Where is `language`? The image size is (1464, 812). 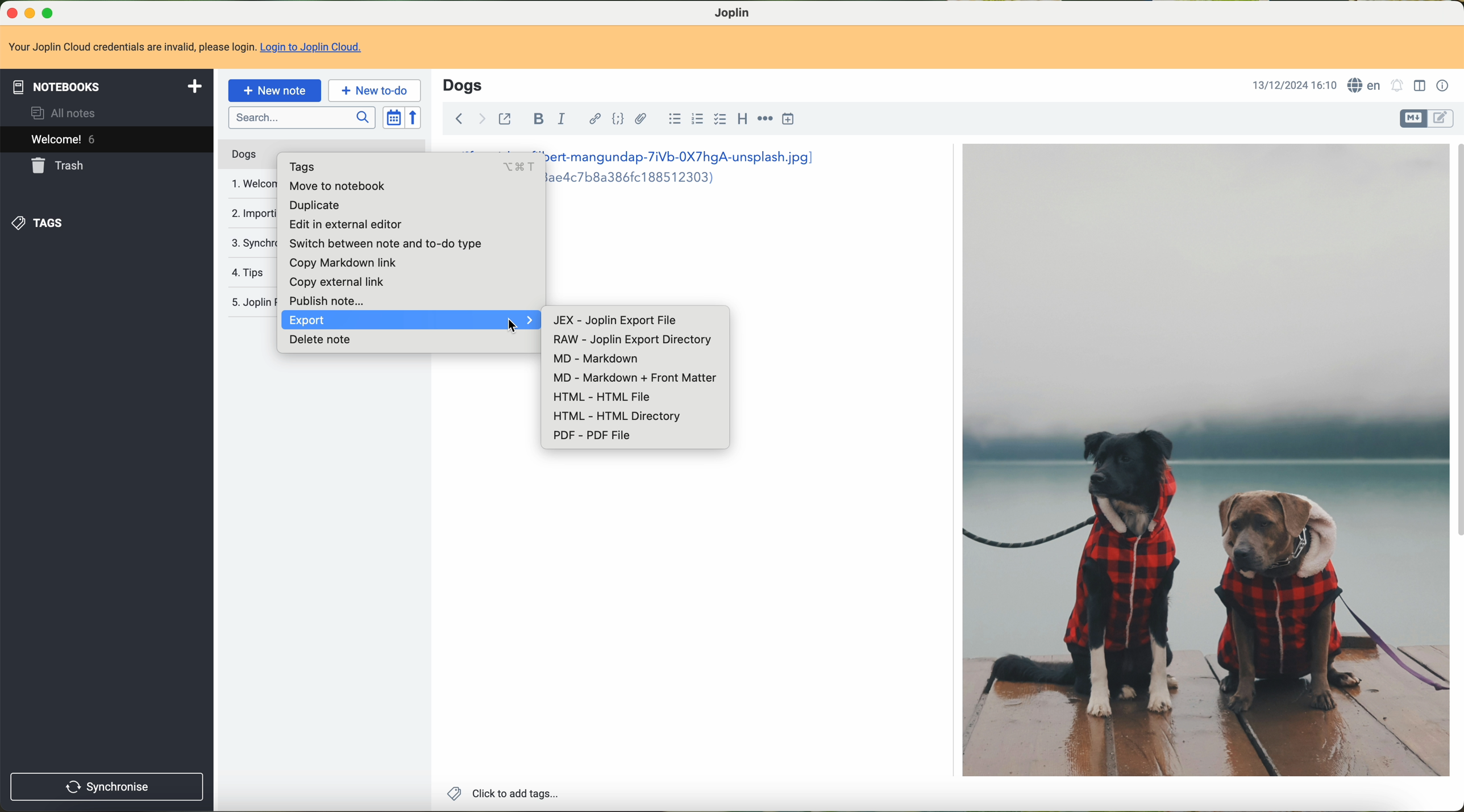 language is located at coordinates (1365, 85).